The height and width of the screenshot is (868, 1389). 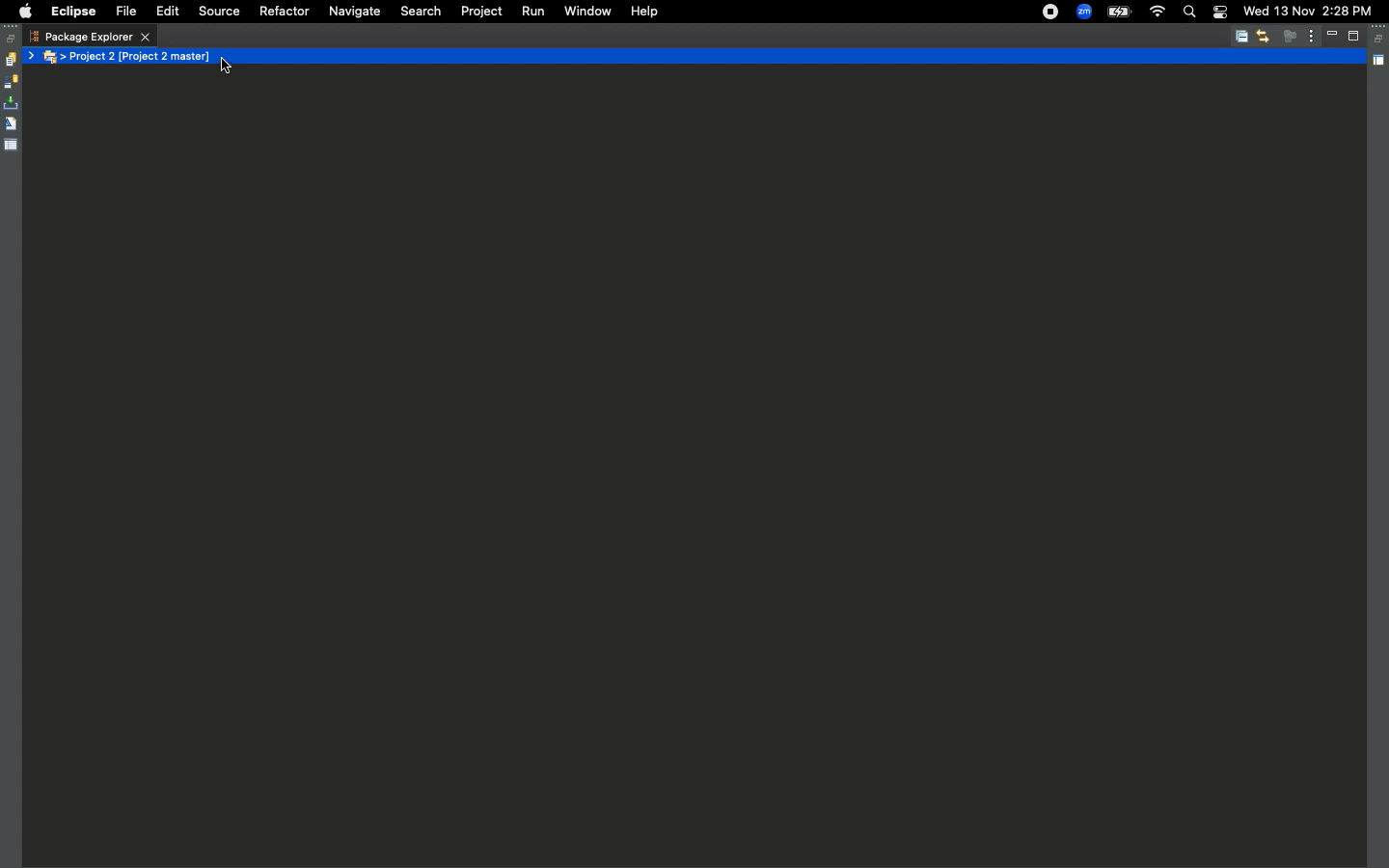 I want to click on Project, so click(x=477, y=12).